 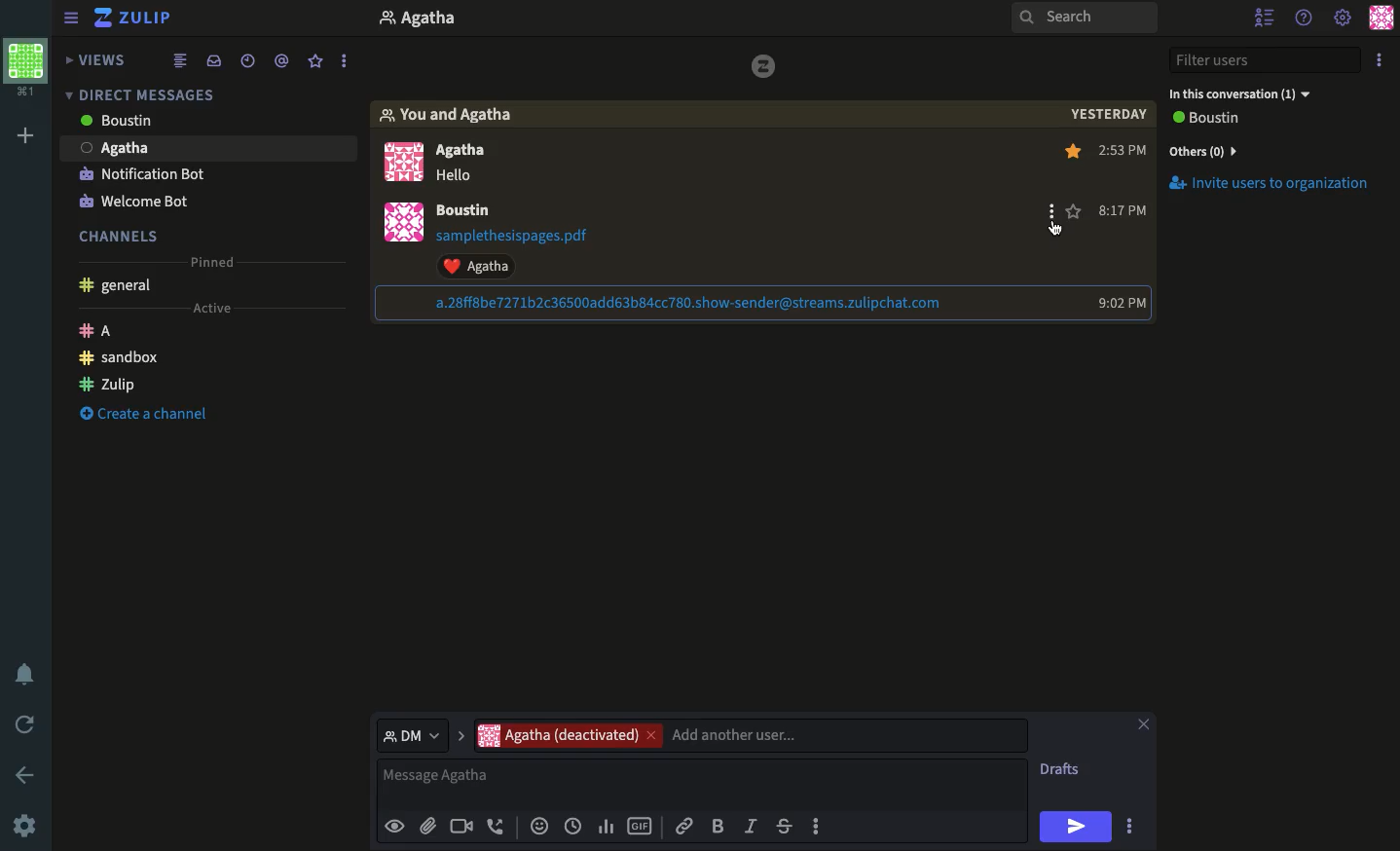 What do you see at coordinates (99, 333) in the screenshot?
I see `A` at bounding box center [99, 333].